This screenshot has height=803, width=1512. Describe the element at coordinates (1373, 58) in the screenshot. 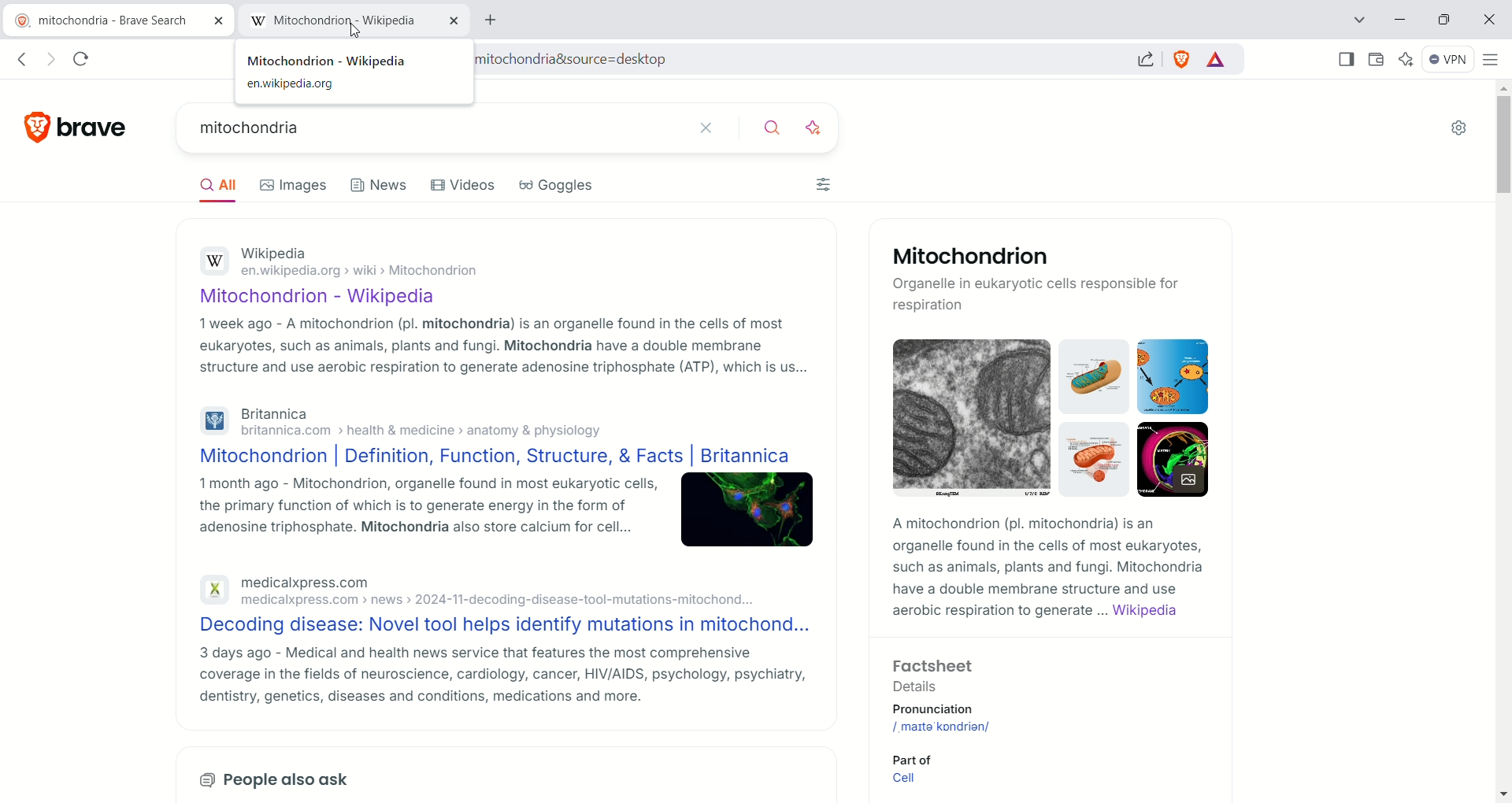

I see `wallet` at that location.